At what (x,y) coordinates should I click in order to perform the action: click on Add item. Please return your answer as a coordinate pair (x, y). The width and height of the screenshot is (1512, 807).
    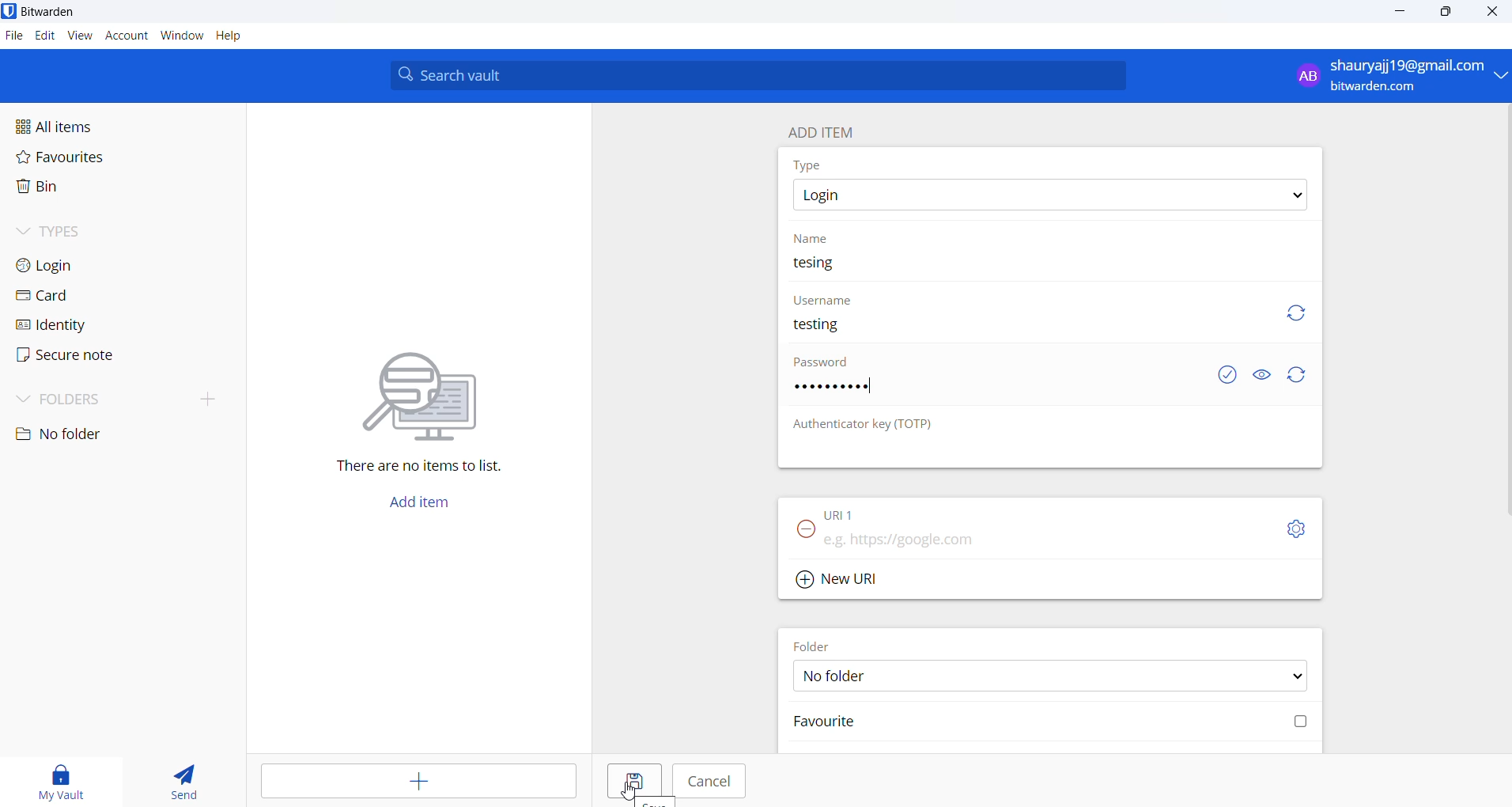
    Looking at the image, I should click on (418, 506).